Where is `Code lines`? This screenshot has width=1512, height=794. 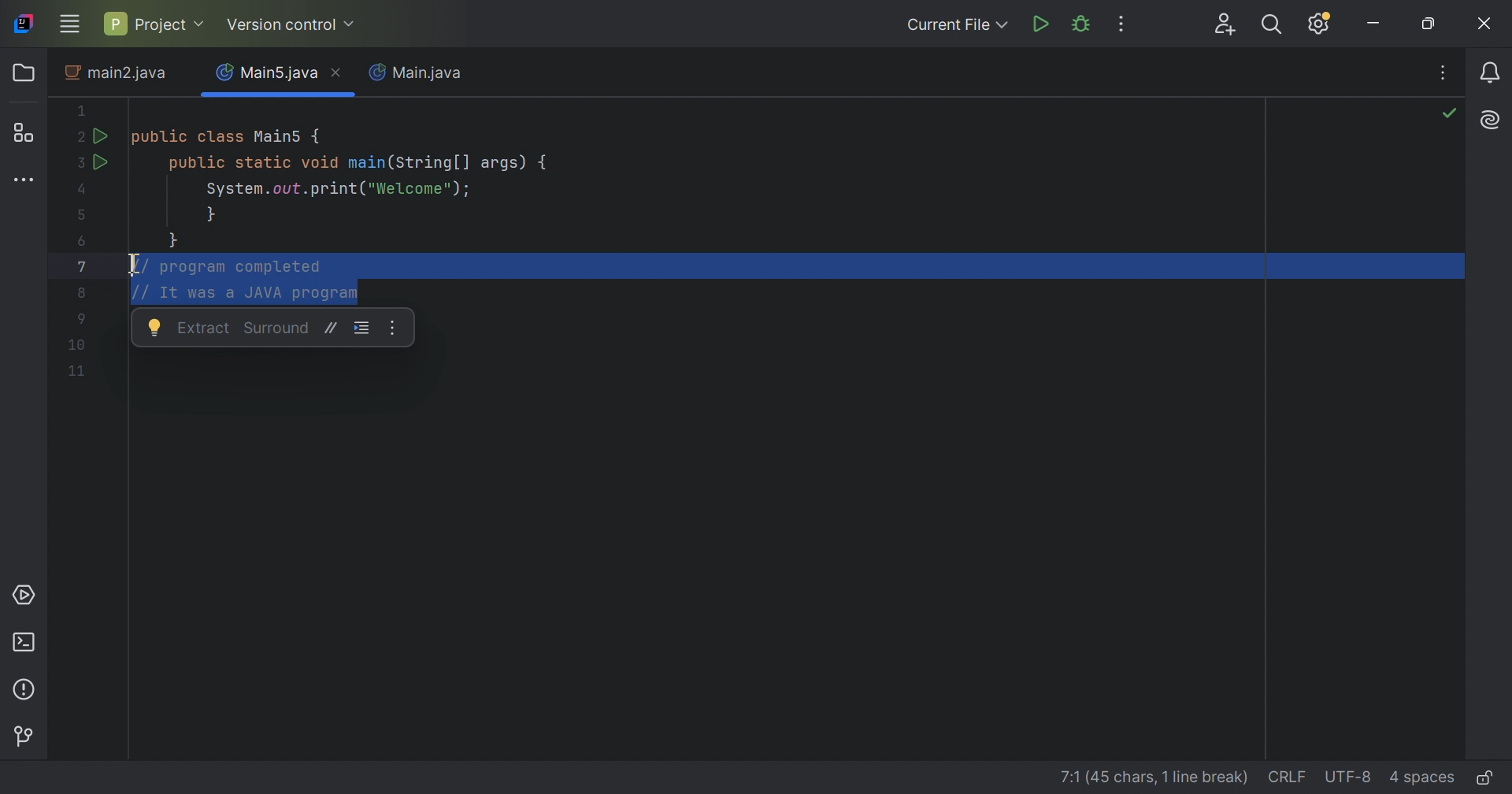 Code lines is located at coordinates (76, 346).